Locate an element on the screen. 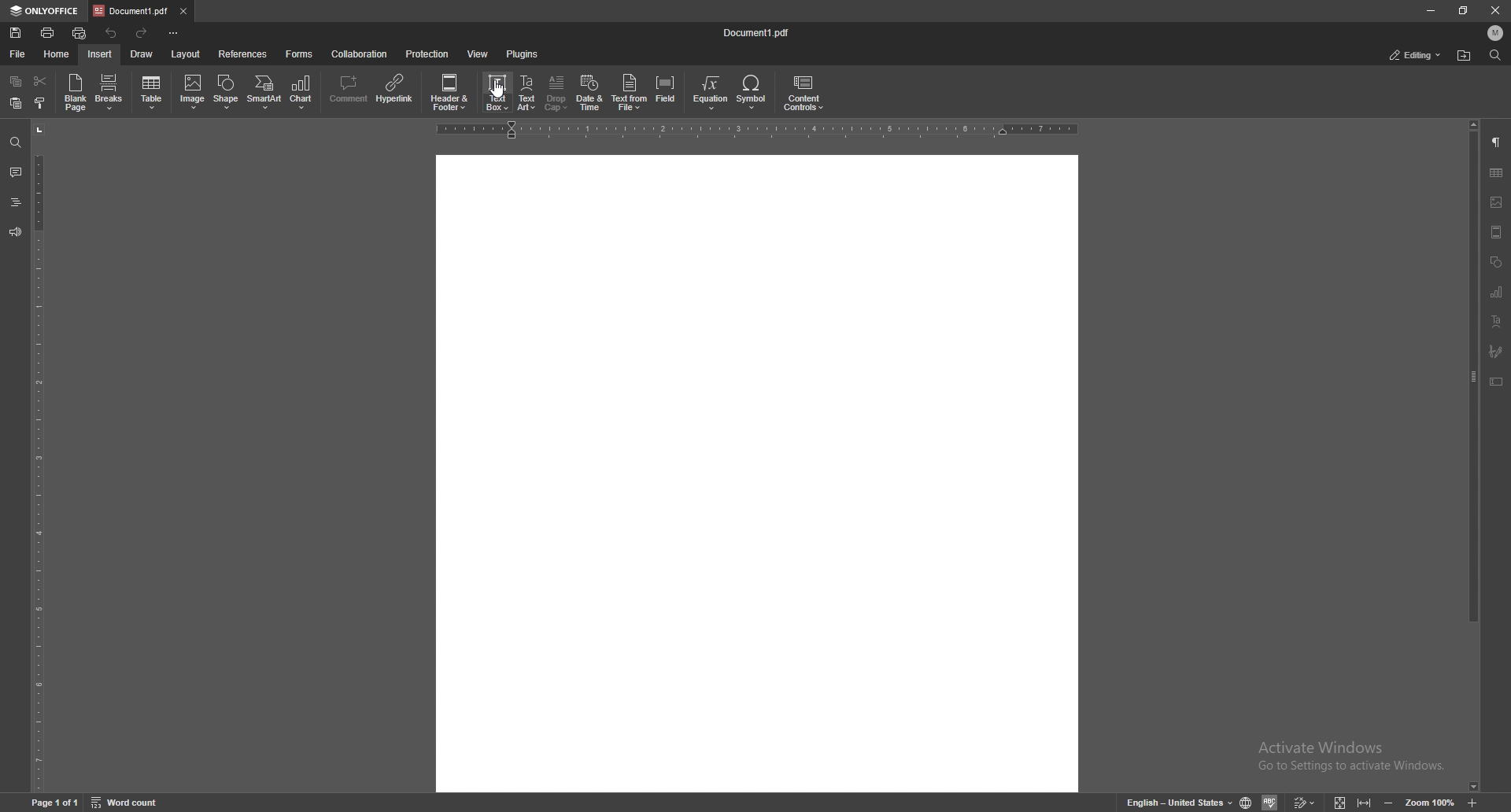  paragraph is located at coordinates (1498, 142).